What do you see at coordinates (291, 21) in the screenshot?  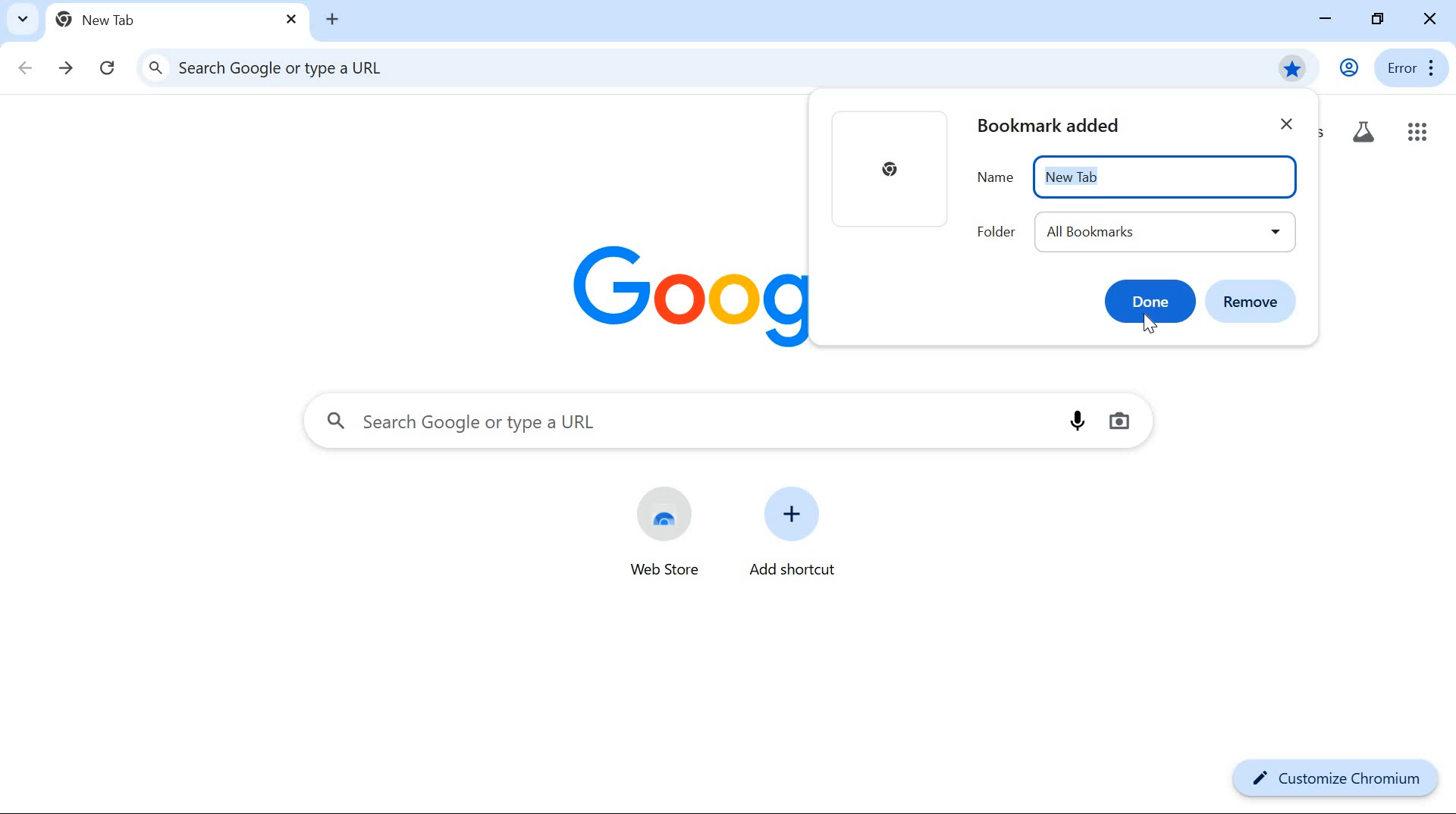 I see `close` at bounding box center [291, 21].